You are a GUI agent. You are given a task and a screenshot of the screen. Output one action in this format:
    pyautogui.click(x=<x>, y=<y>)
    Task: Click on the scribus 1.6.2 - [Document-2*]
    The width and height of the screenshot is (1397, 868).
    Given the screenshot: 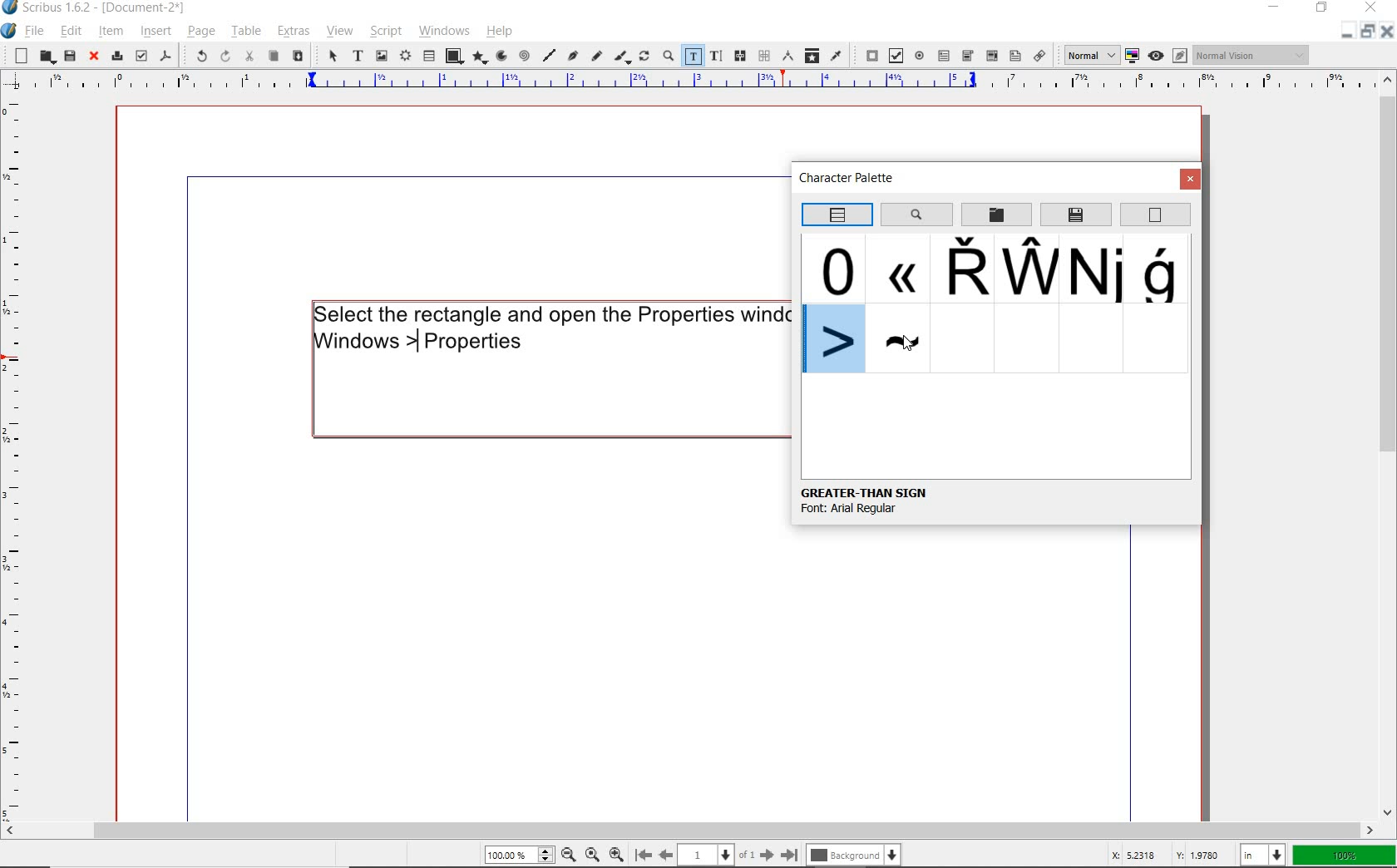 What is the action you would take?
    pyautogui.click(x=111, y=8)
    